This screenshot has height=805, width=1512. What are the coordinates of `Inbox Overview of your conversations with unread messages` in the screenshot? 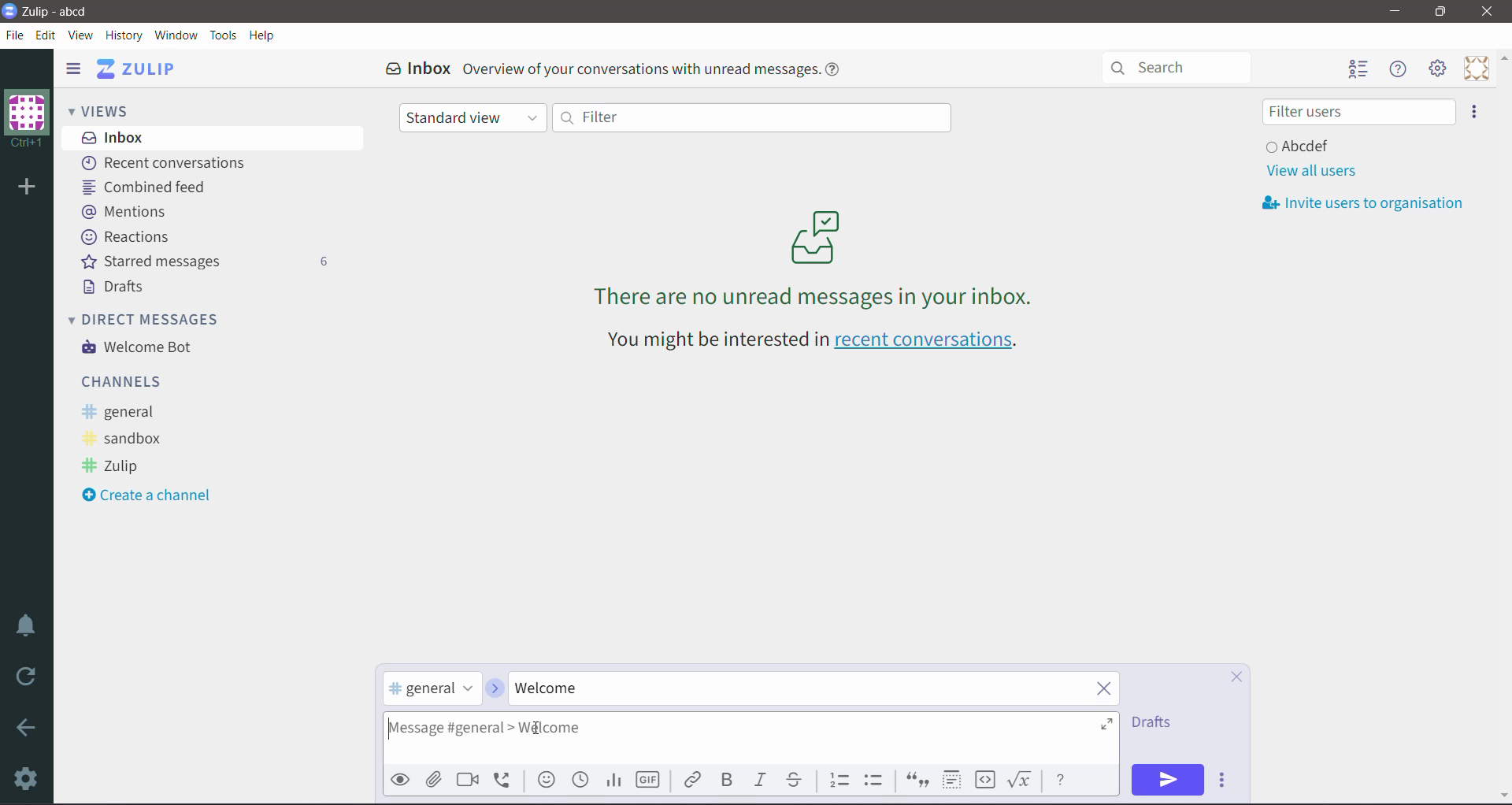 It's located at (618, 69).